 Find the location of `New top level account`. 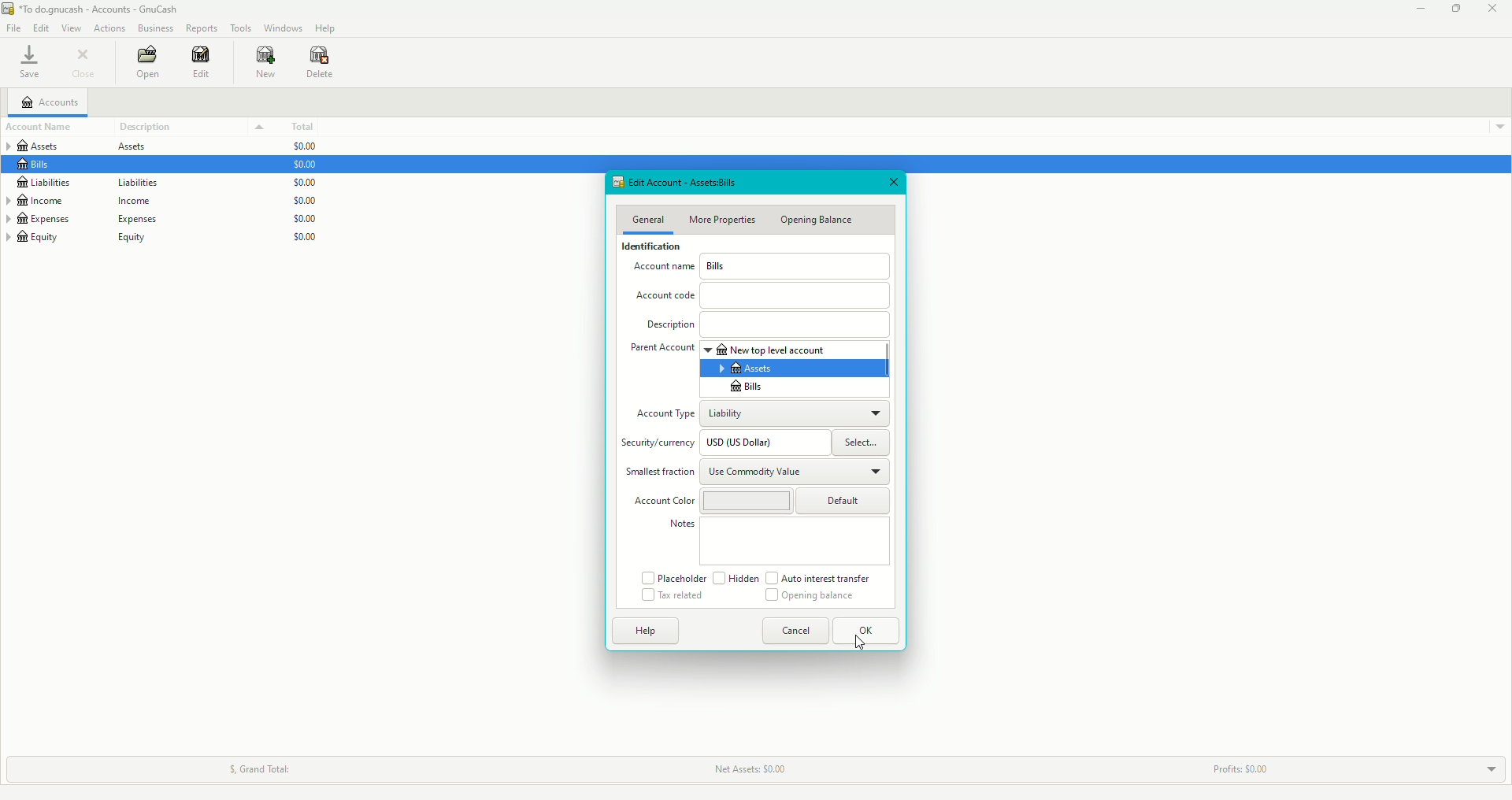

New top level account is located at coordinates (791, 350).